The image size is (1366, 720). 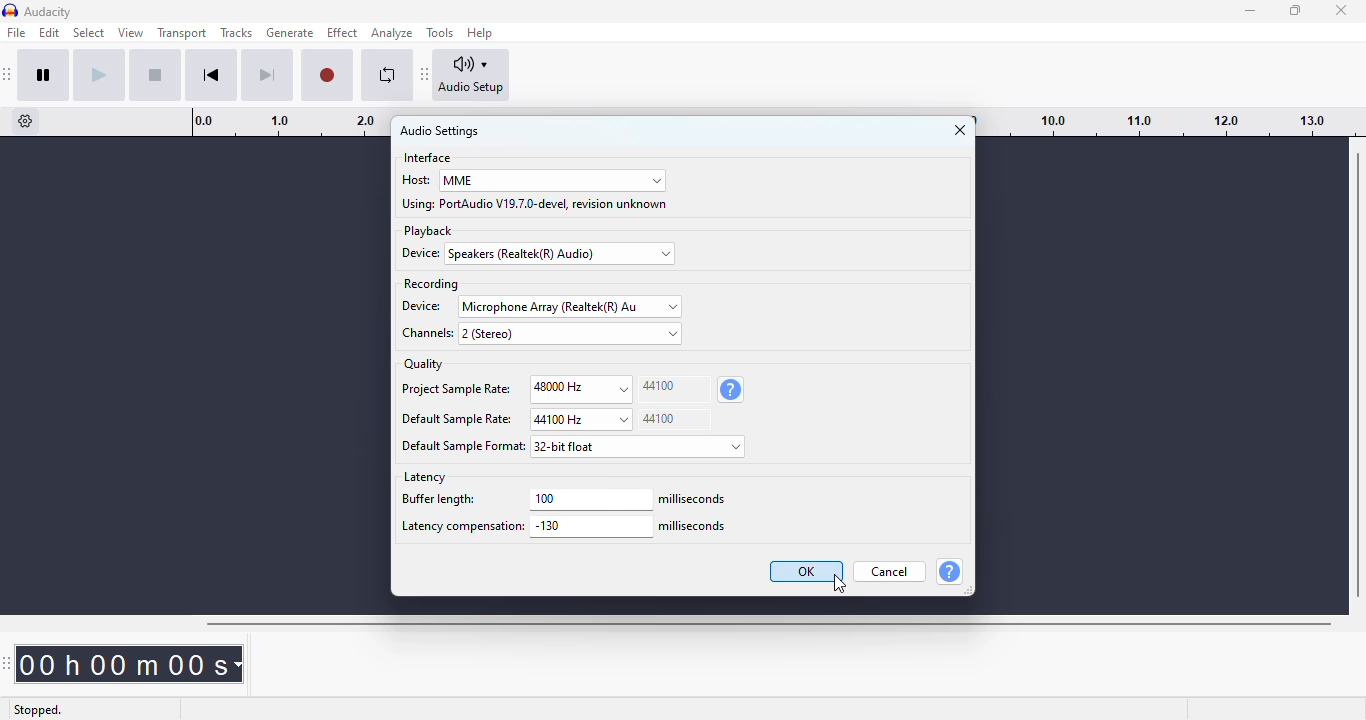 What do you see at coordinates (388, 75) in the screenshot?
I see `enable looping` at bounding box center [388, 75].